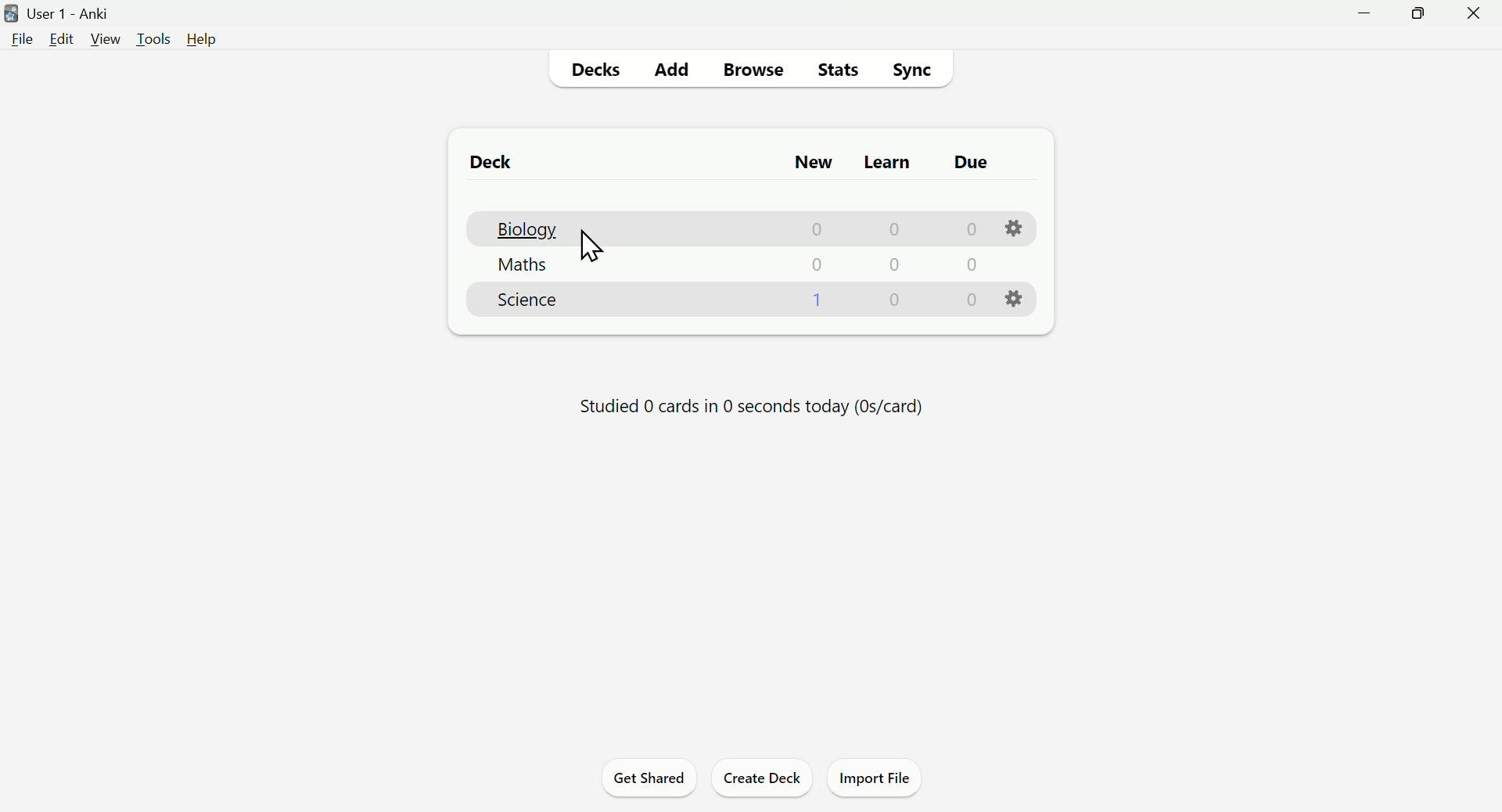  I want to click on New, so click(811, 161).